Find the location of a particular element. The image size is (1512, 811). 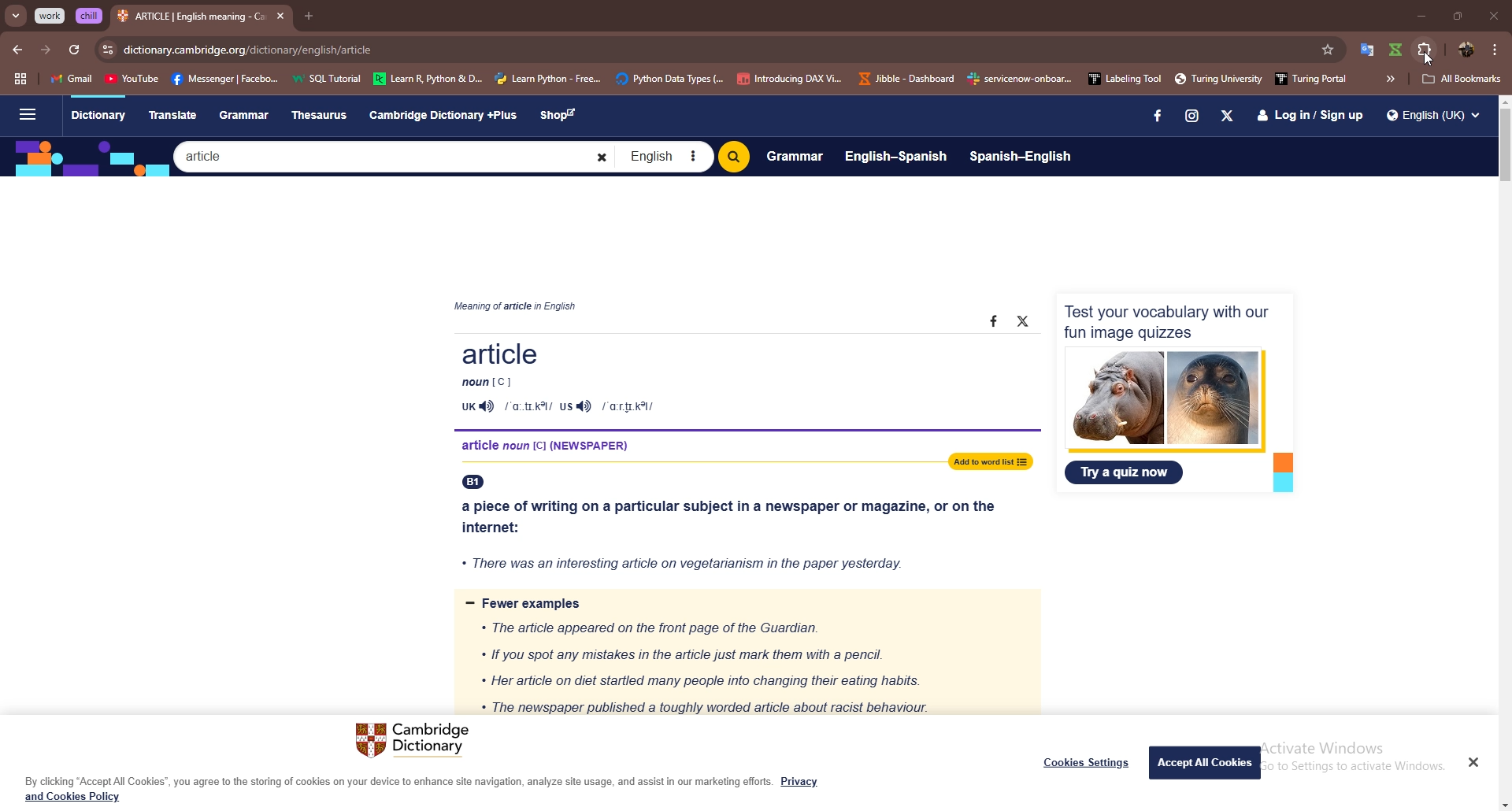

extensions is located at coordinates (1426, 49).